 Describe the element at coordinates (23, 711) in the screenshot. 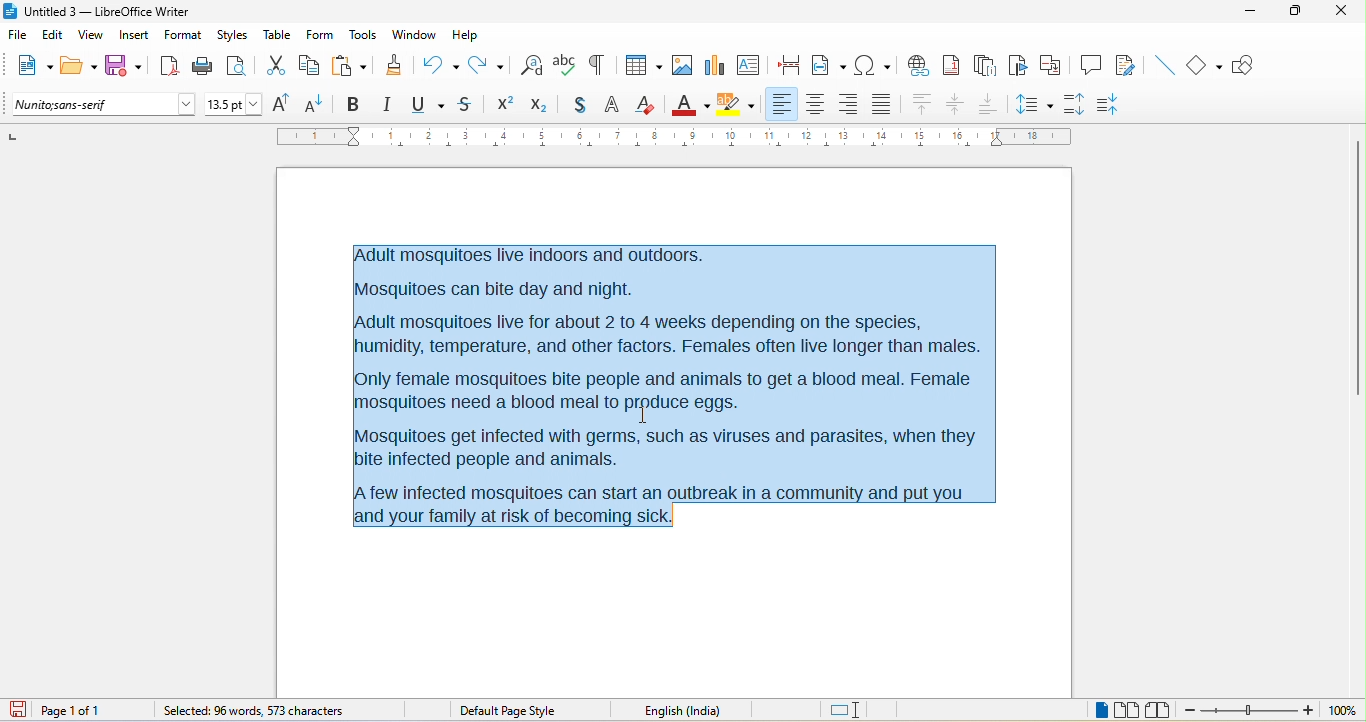

I see `click to save the document` at that location.